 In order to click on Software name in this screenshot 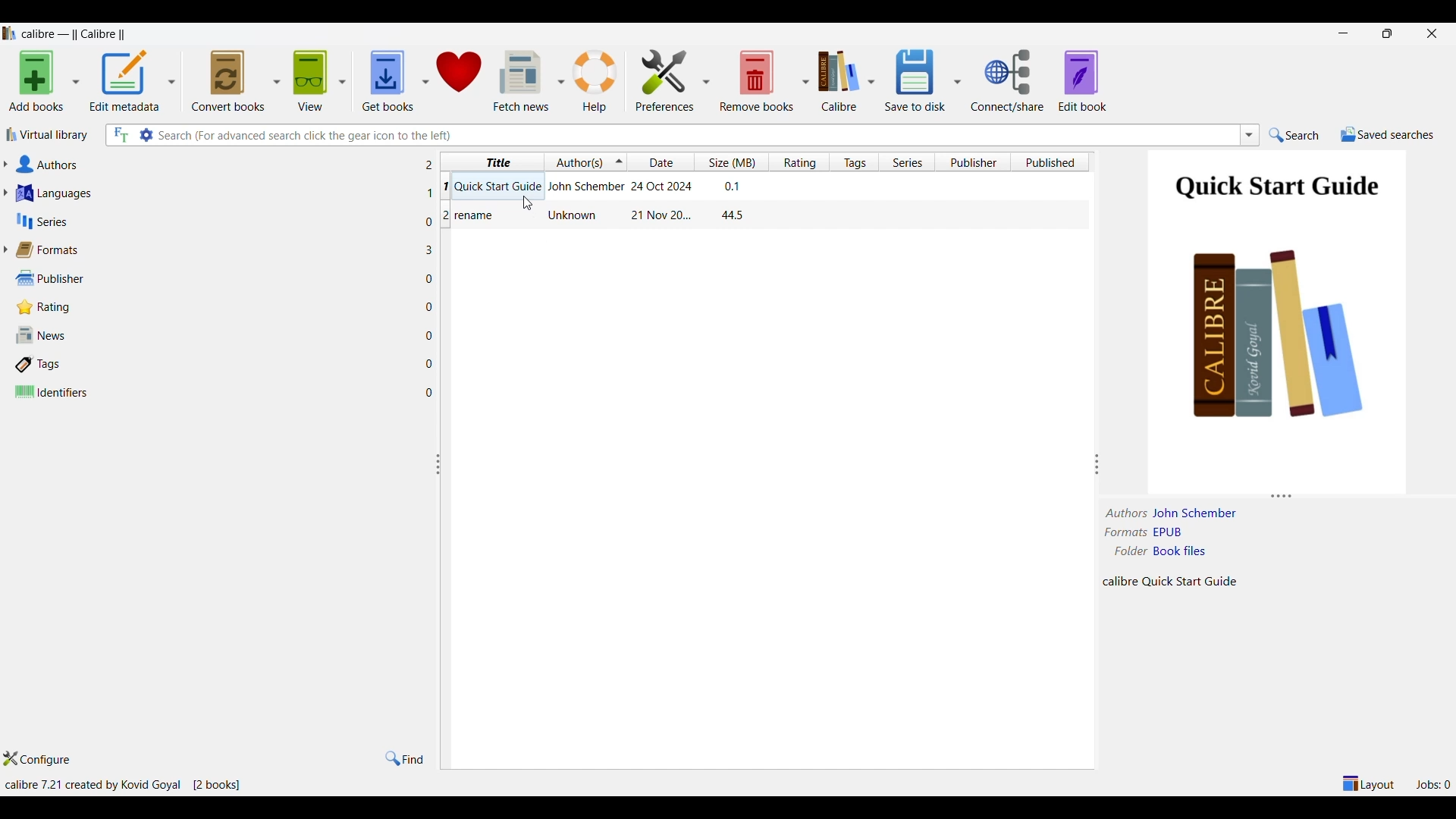, I will do `click(77, 34)`.